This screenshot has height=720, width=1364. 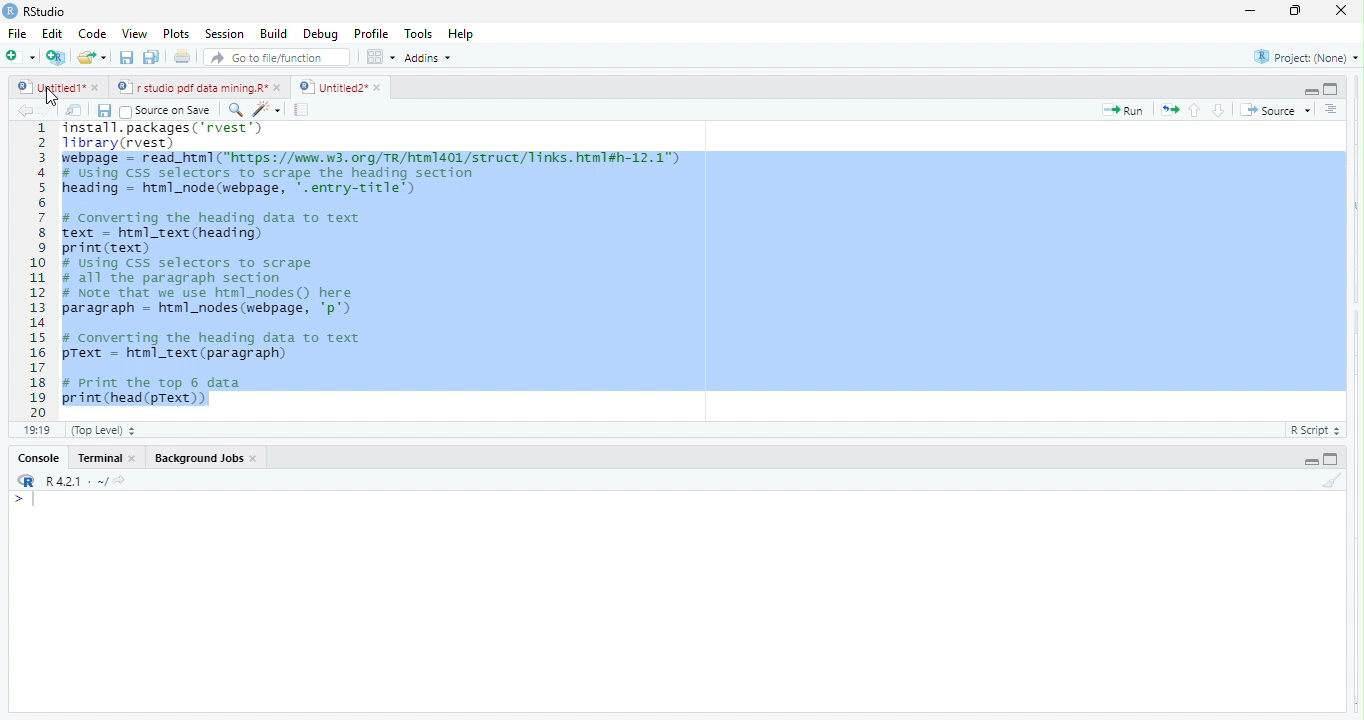 What do you see at coordinates (10, 10) in the screenshot?
I see `rs studio logo` at bounding box center [10, 10].